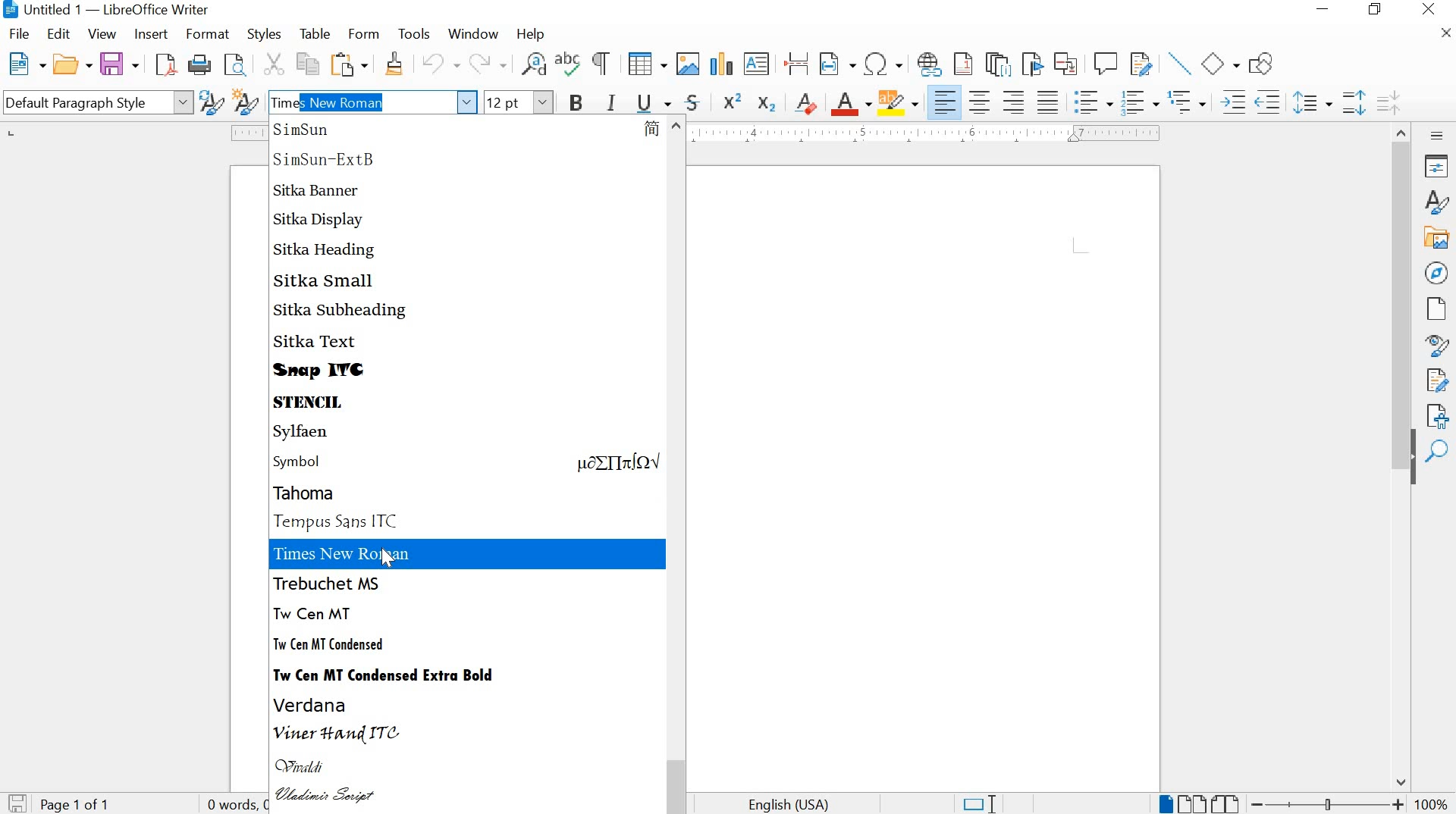 The image size is (1456, 814). What do you see at coordinates (1230, 101) in the screenshot?
I see `INCREASE INDENT` at bounding box center [1230, 101].